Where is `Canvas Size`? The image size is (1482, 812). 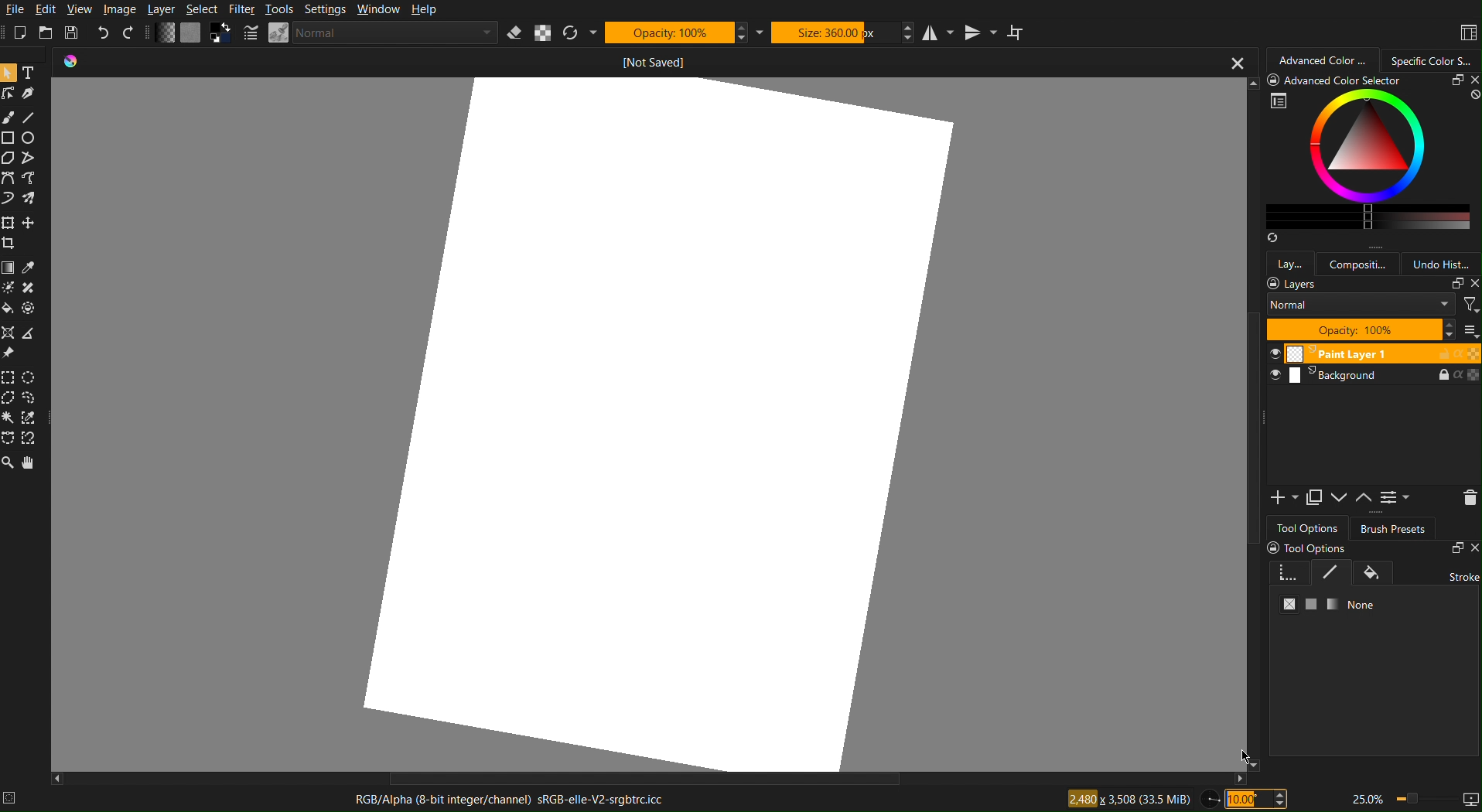 Canvas Size is located at coordinates (1127, 798).